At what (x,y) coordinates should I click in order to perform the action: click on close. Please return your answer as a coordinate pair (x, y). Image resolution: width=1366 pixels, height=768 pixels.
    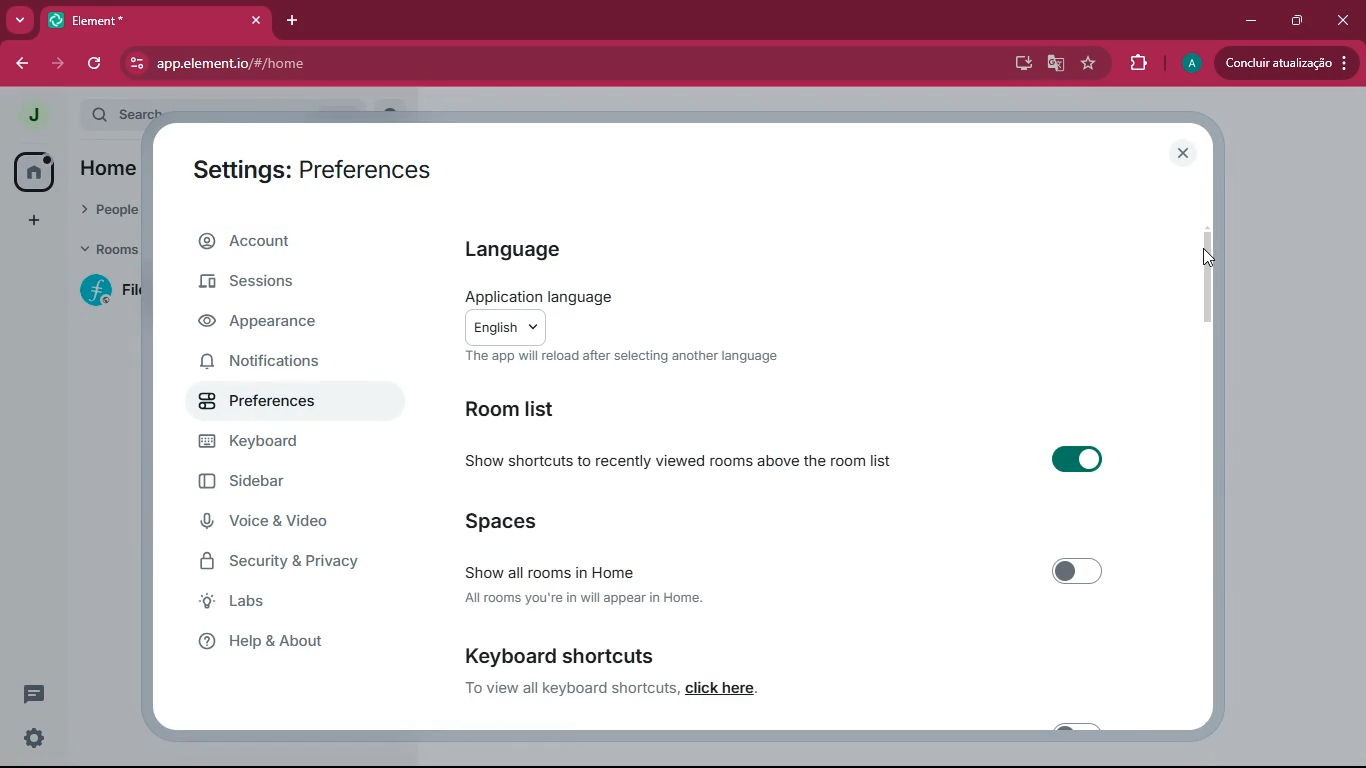
    Looking at the image, I should click on (1184, 154).